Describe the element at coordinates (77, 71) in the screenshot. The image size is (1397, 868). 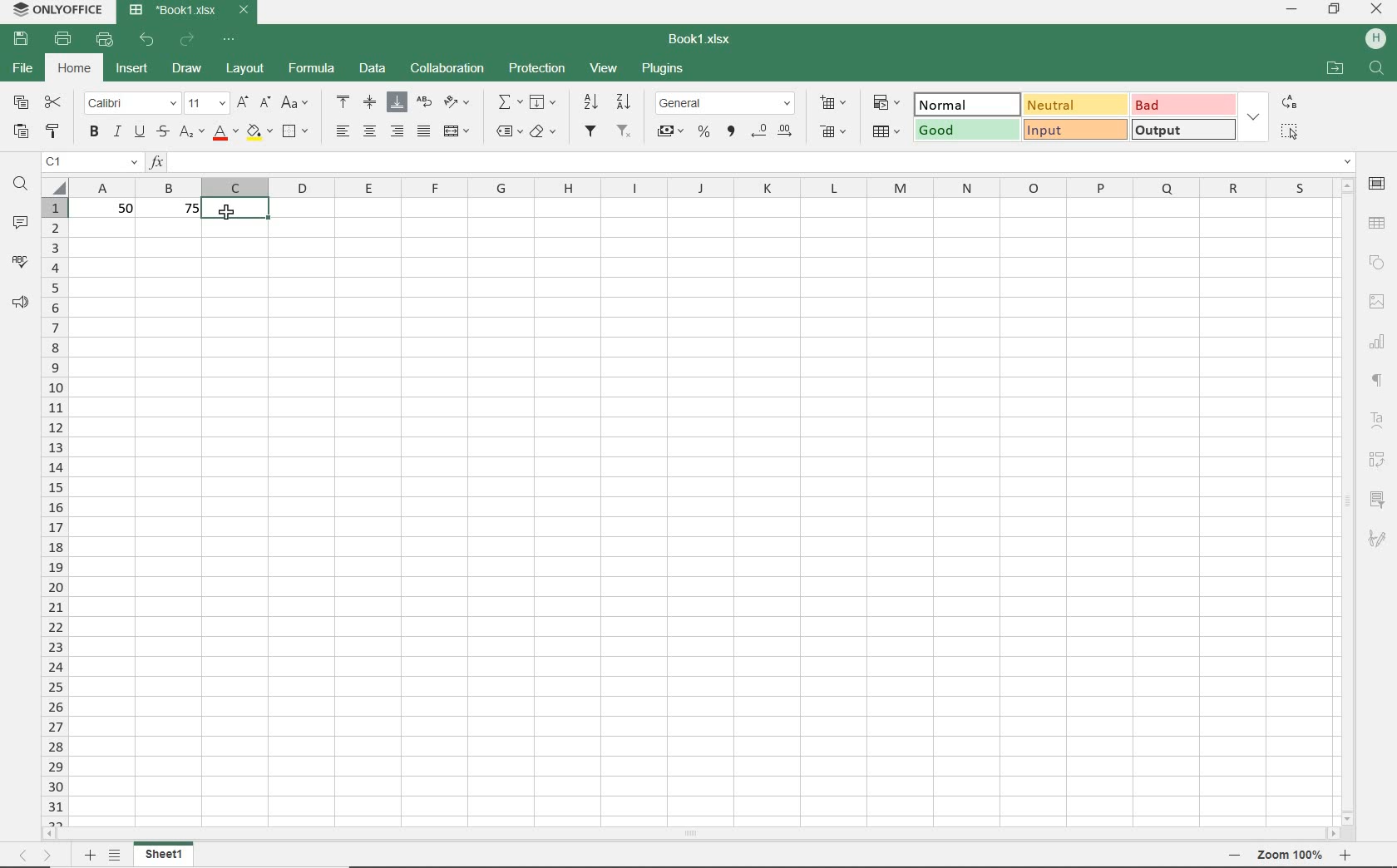
I see `home` at that location.